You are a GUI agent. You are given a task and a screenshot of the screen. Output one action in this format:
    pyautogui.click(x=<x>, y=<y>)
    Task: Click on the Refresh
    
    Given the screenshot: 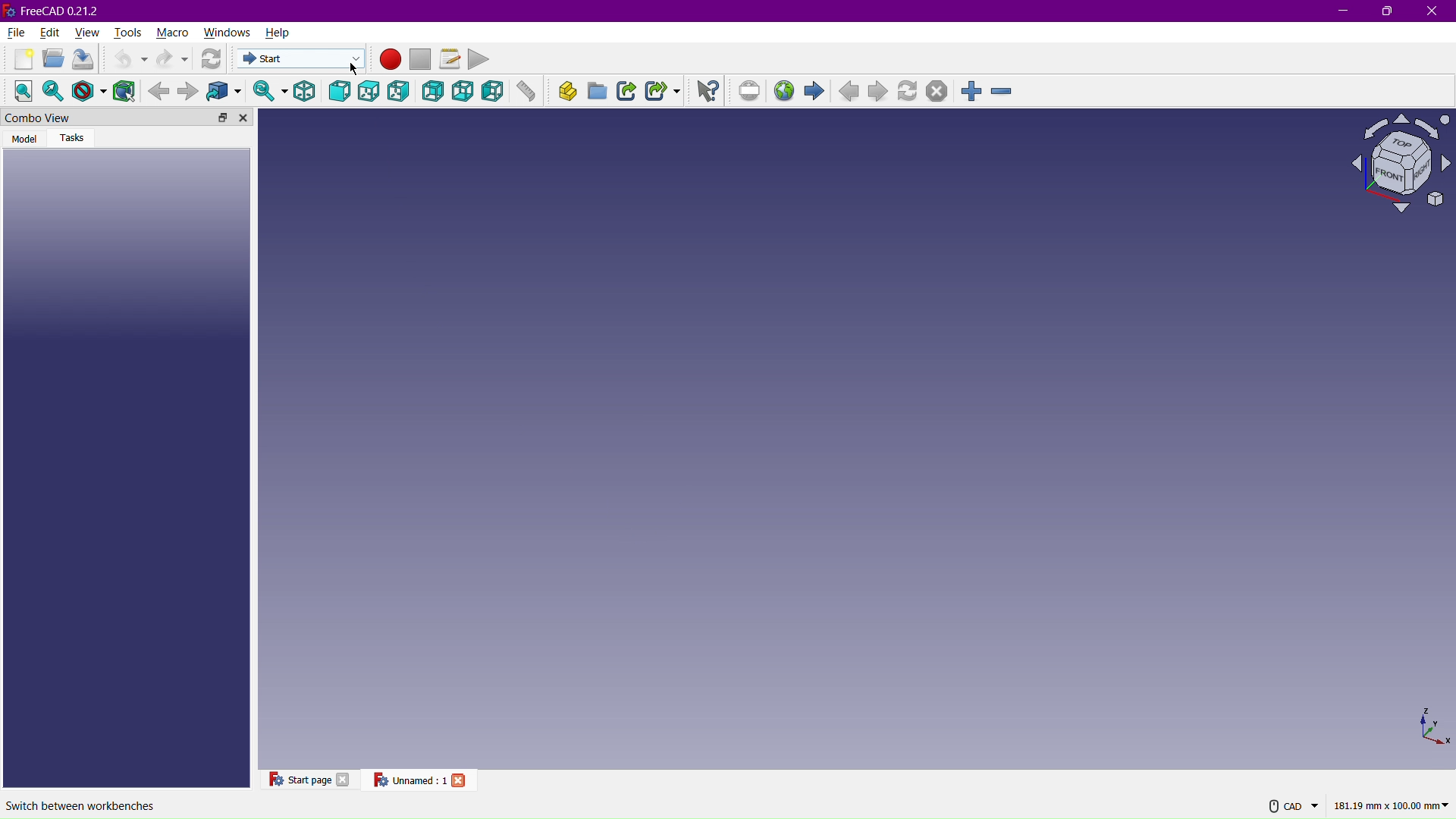 What is the action you would take?
    pyautogui.click(x=209, y=58)
    